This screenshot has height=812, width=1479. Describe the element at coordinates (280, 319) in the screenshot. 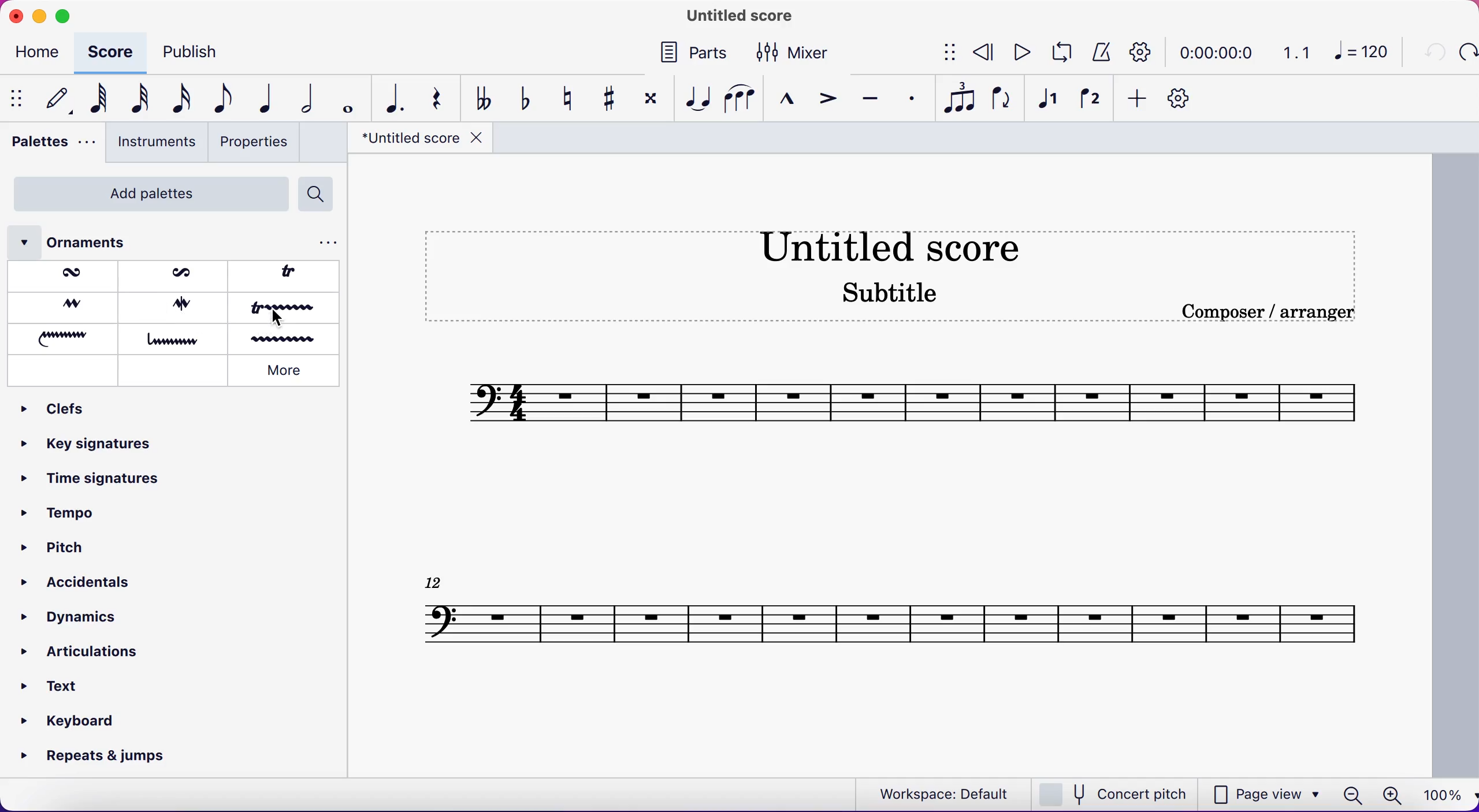

I see `cursor` at that location.